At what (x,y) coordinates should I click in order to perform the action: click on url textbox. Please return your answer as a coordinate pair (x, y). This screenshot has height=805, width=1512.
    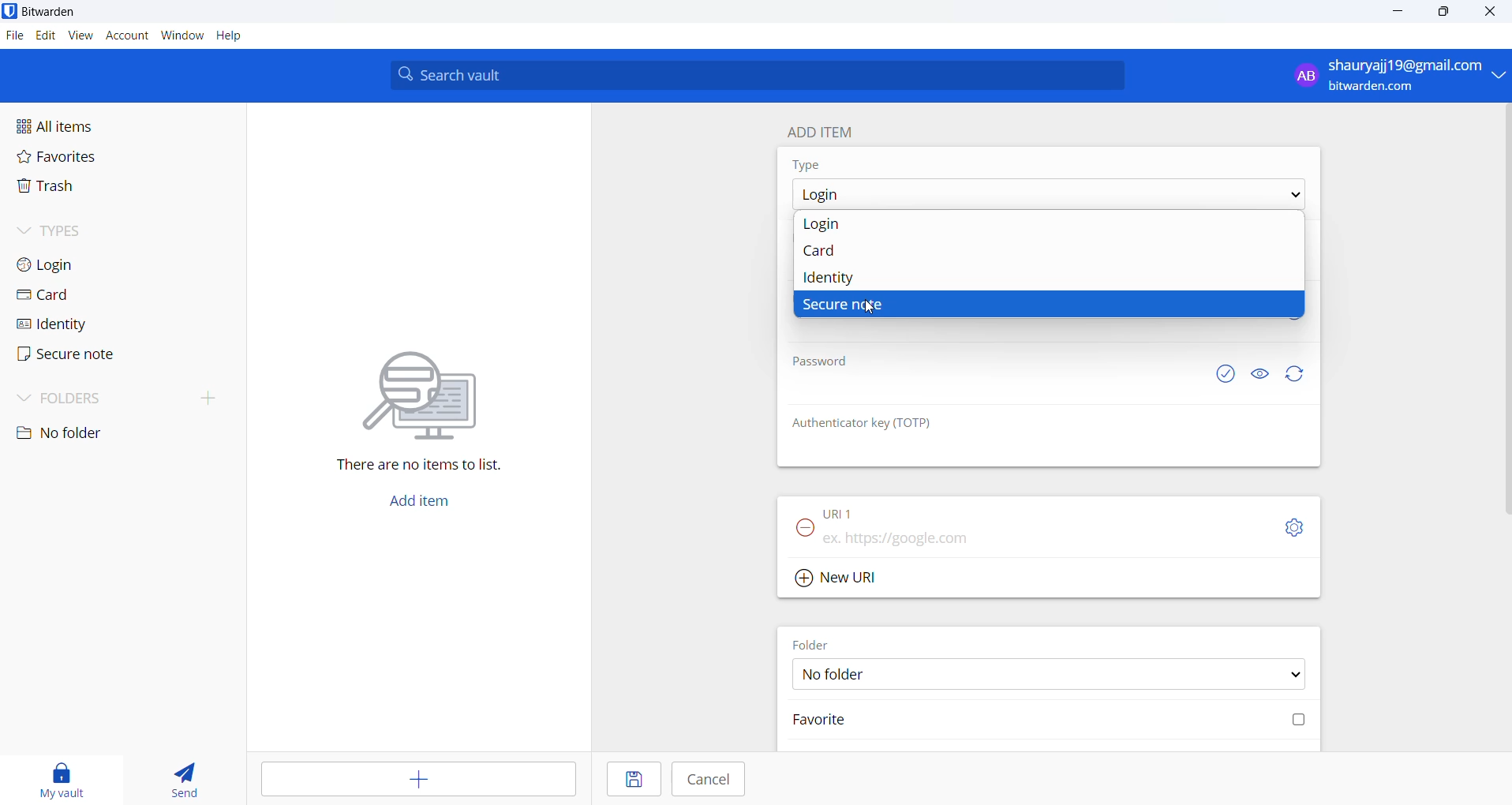
    Looking at the image, I should click on (1023, 537).